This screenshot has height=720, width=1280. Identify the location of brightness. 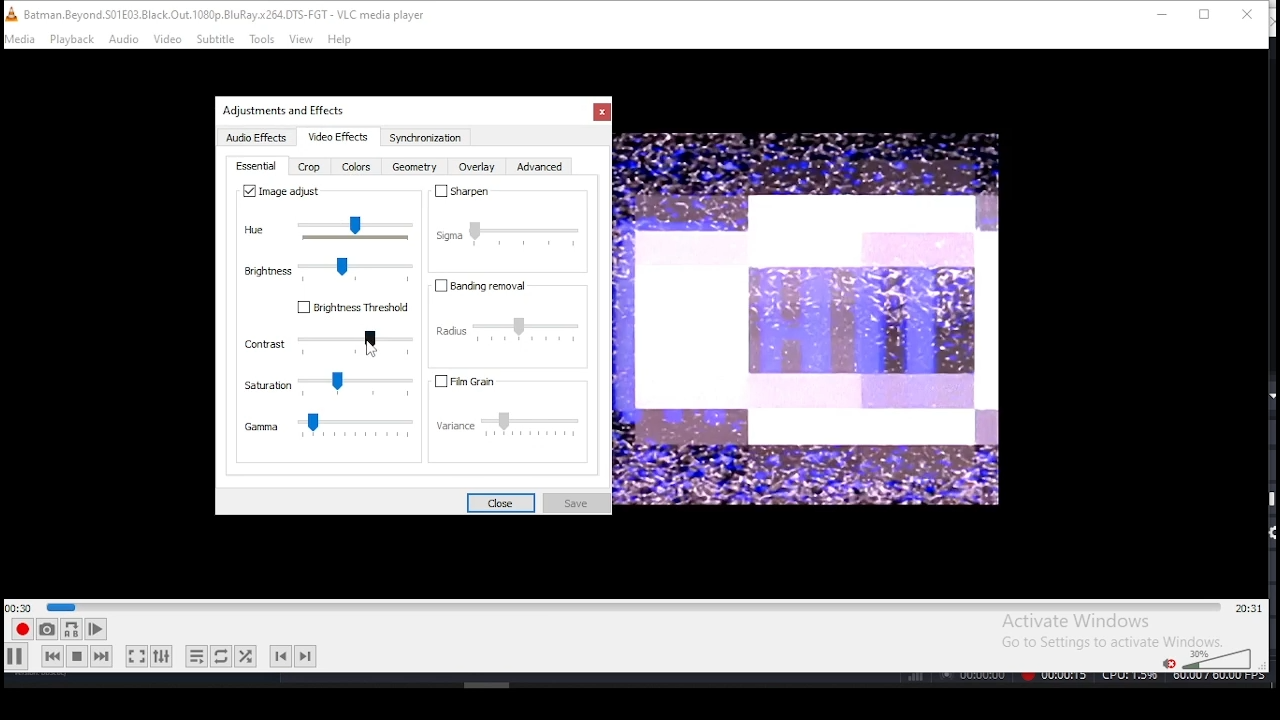
(328, 267).